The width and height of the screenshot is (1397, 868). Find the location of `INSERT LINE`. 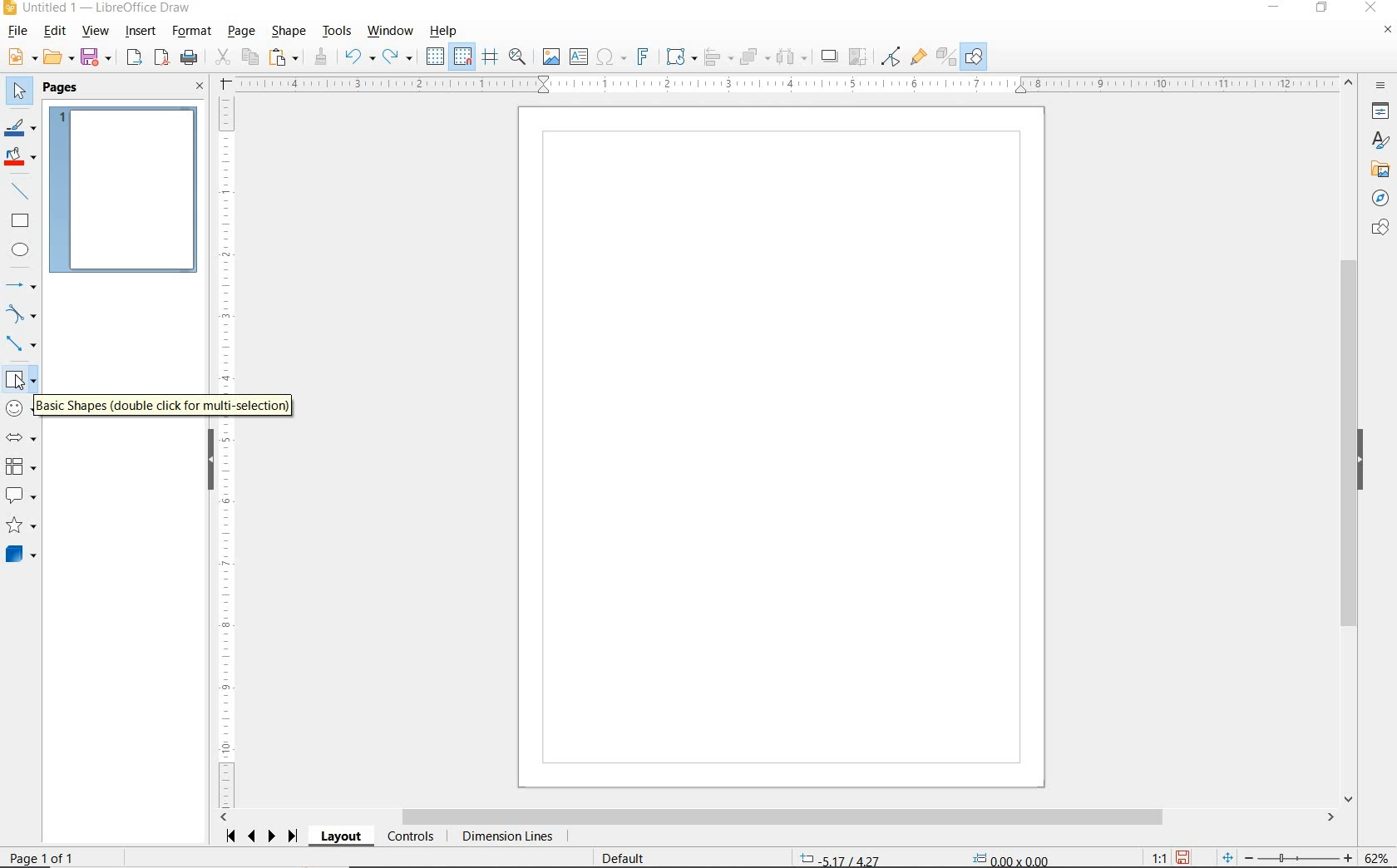

INSERT LINE is located at coordinates (22, 191).